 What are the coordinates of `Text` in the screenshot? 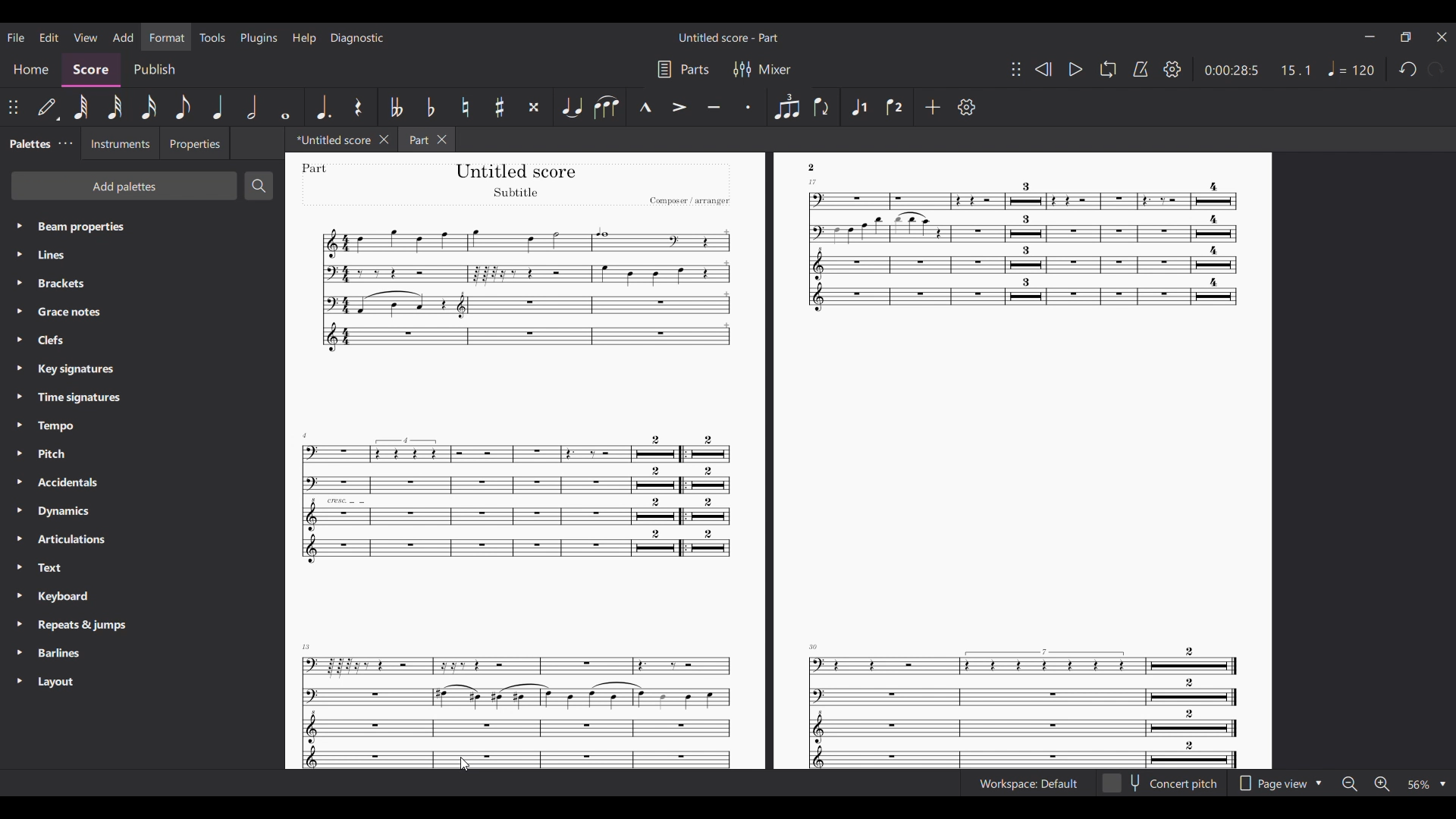 It's located at (66, 566).